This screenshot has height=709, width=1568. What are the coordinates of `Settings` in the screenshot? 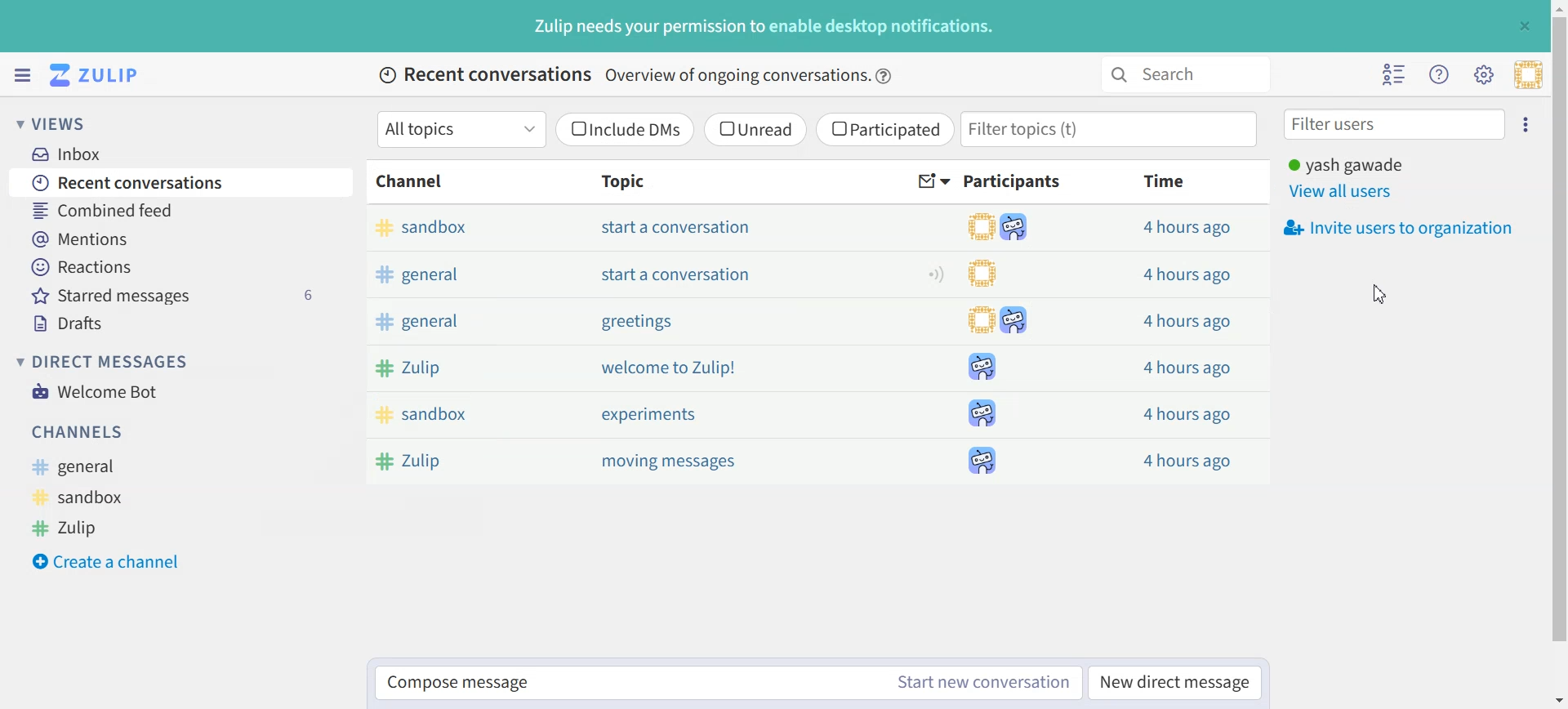 It's located at (1528, 123).